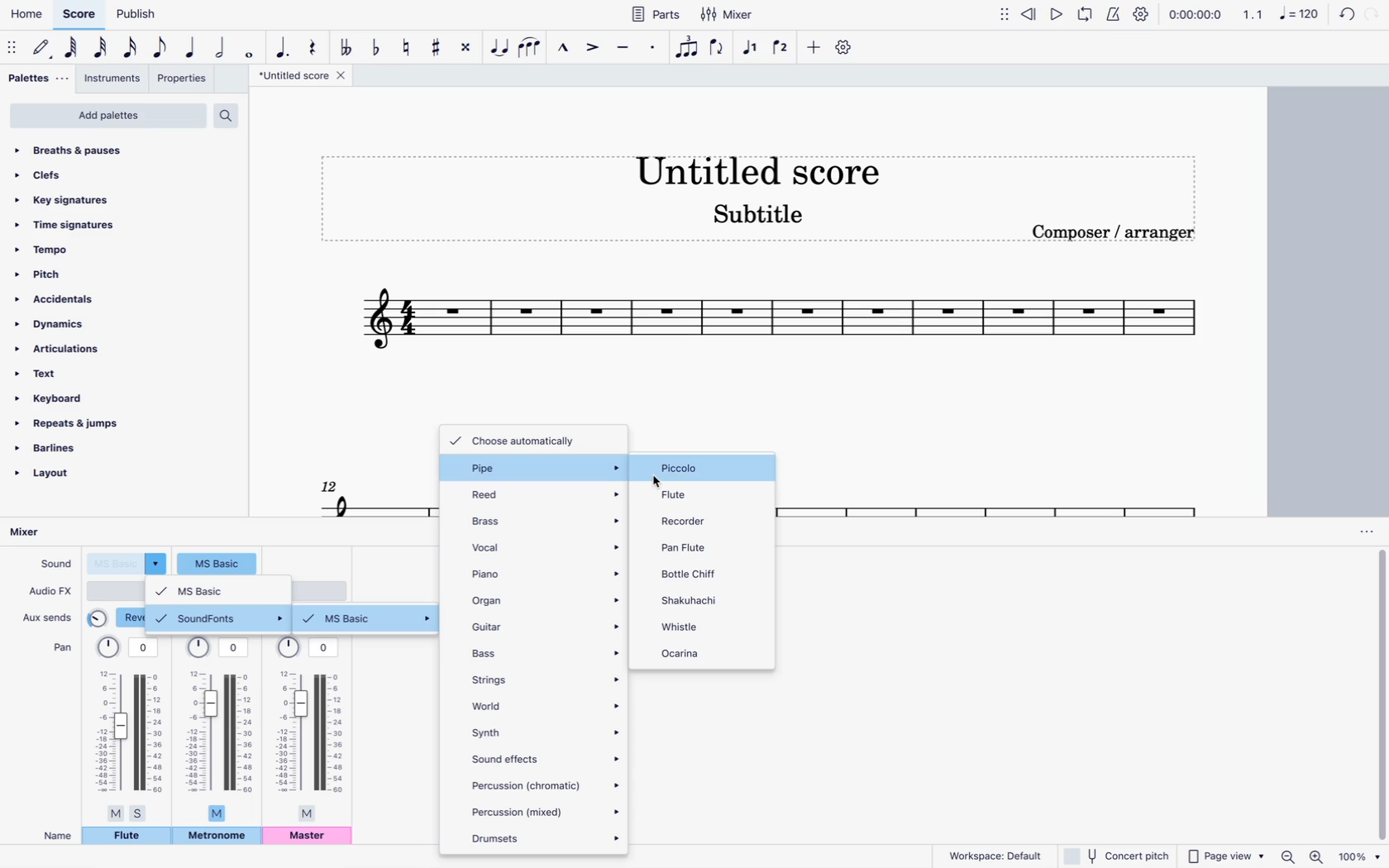 The width and height of the screenshot is (1389, 868). What do you see at coordinates (542, 491) in the screenshot?
I see `reed` at bounding box center [542, 491].